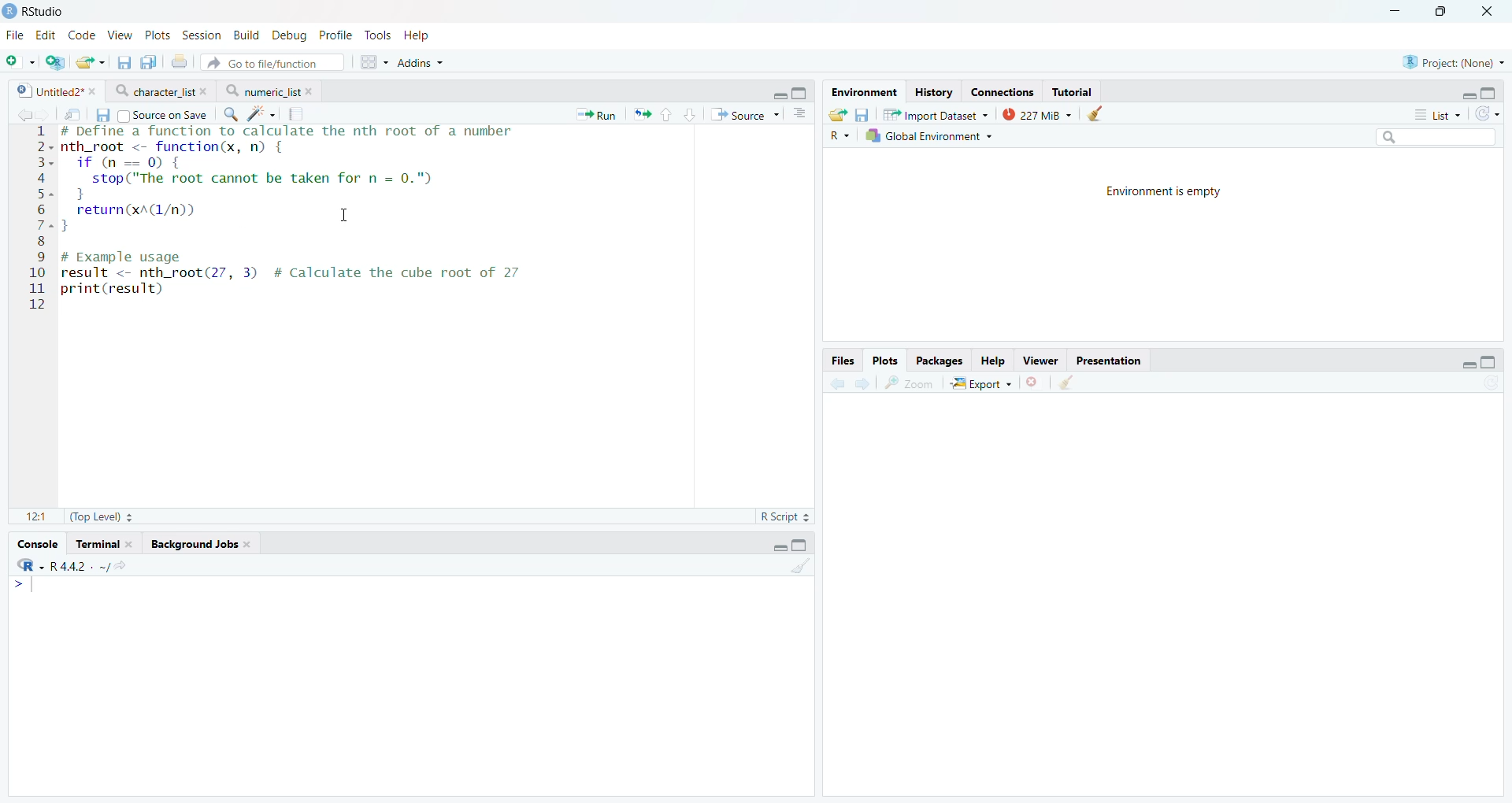 Image resolution: width=1512 pixels, height=803 pixels. I want to click on Go to previous plot, so click(836, 382).